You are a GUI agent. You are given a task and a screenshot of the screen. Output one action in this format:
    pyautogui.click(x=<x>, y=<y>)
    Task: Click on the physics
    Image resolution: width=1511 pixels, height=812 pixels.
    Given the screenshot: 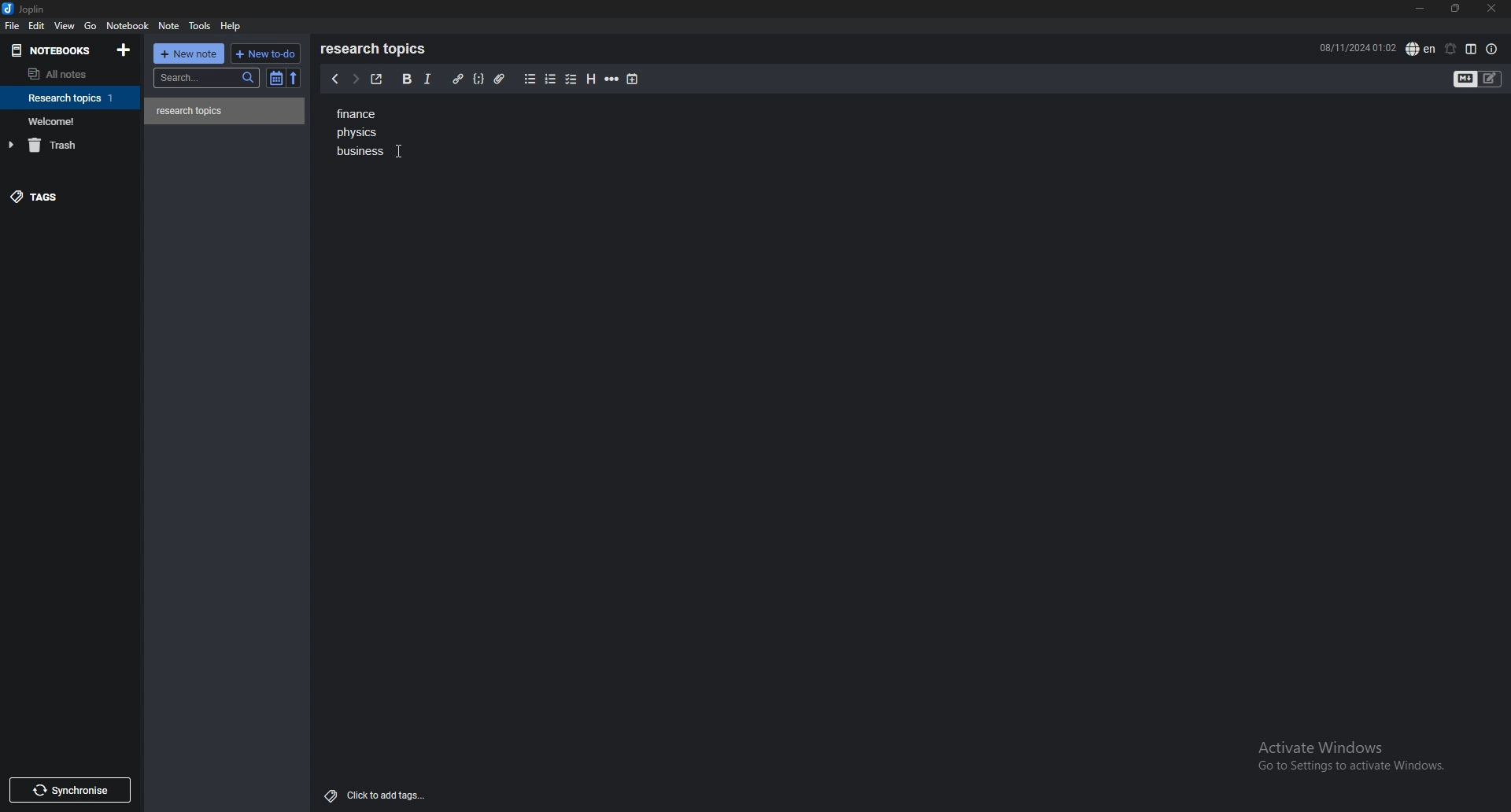 What is the action you would take?
    pyautogui.click(x=359, y=135)
    